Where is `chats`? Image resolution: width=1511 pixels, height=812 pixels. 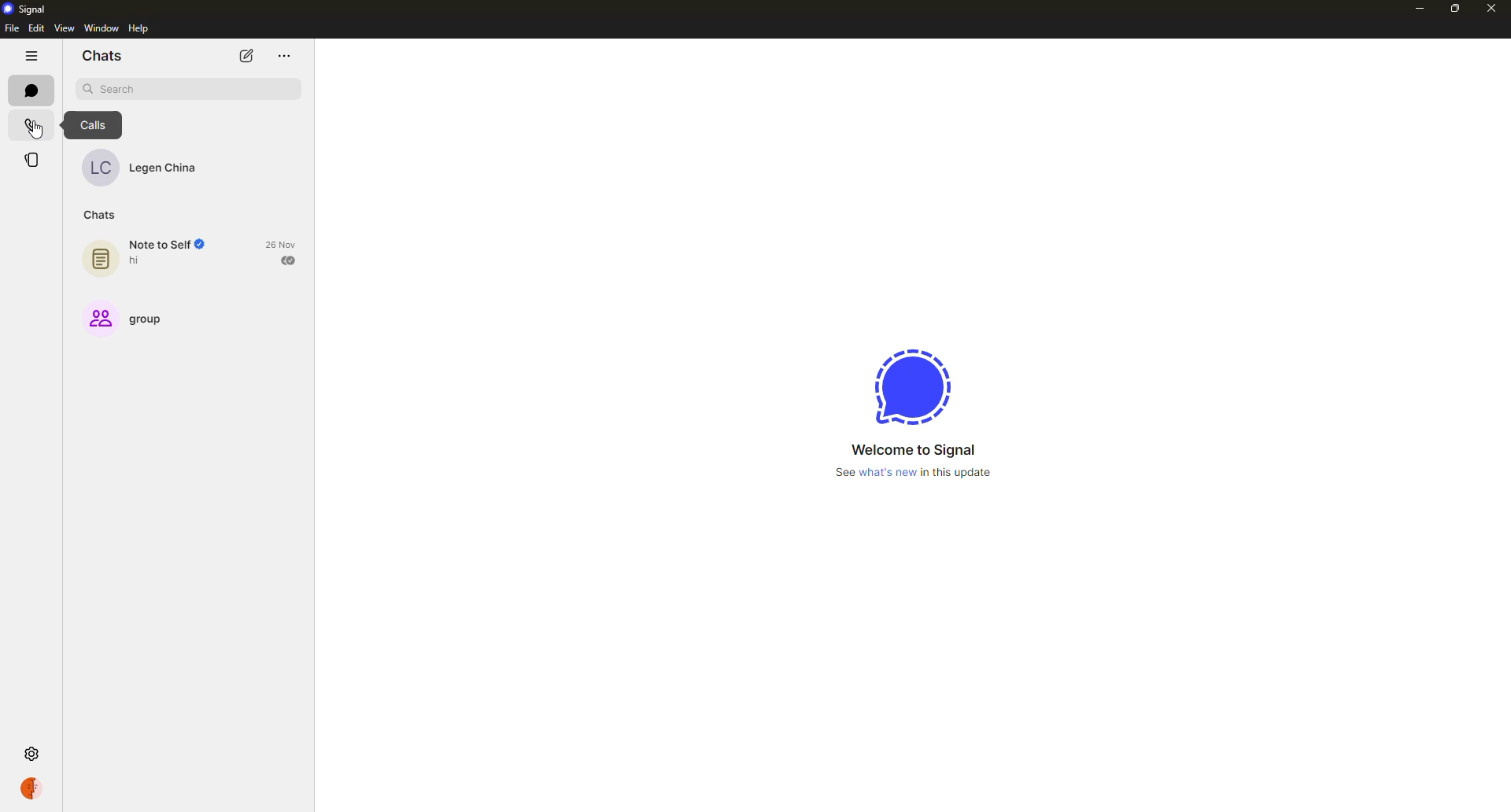
chats is located at coordinates (102, 56).